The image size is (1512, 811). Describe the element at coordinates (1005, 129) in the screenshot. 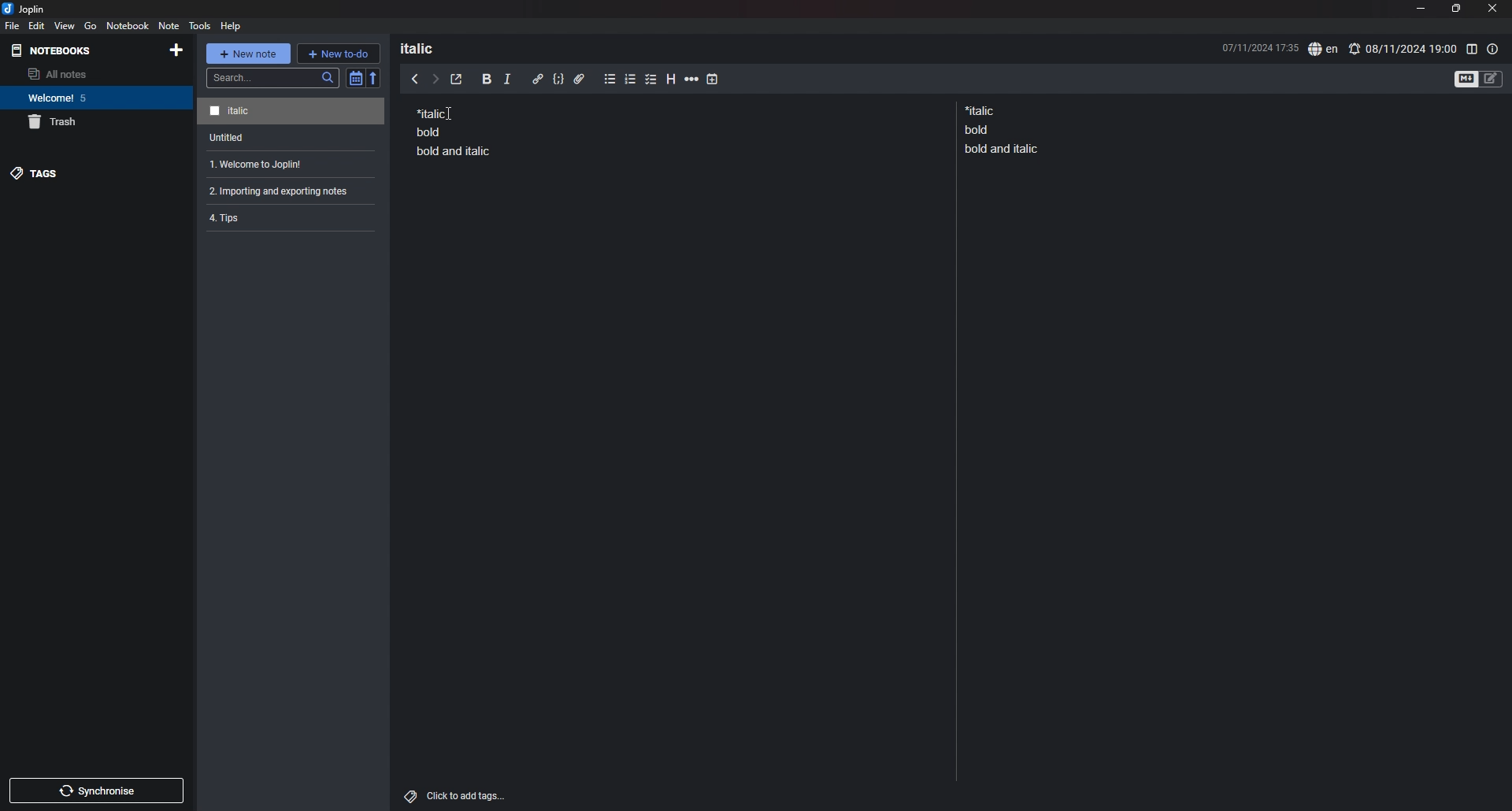

I see `note` at that location.